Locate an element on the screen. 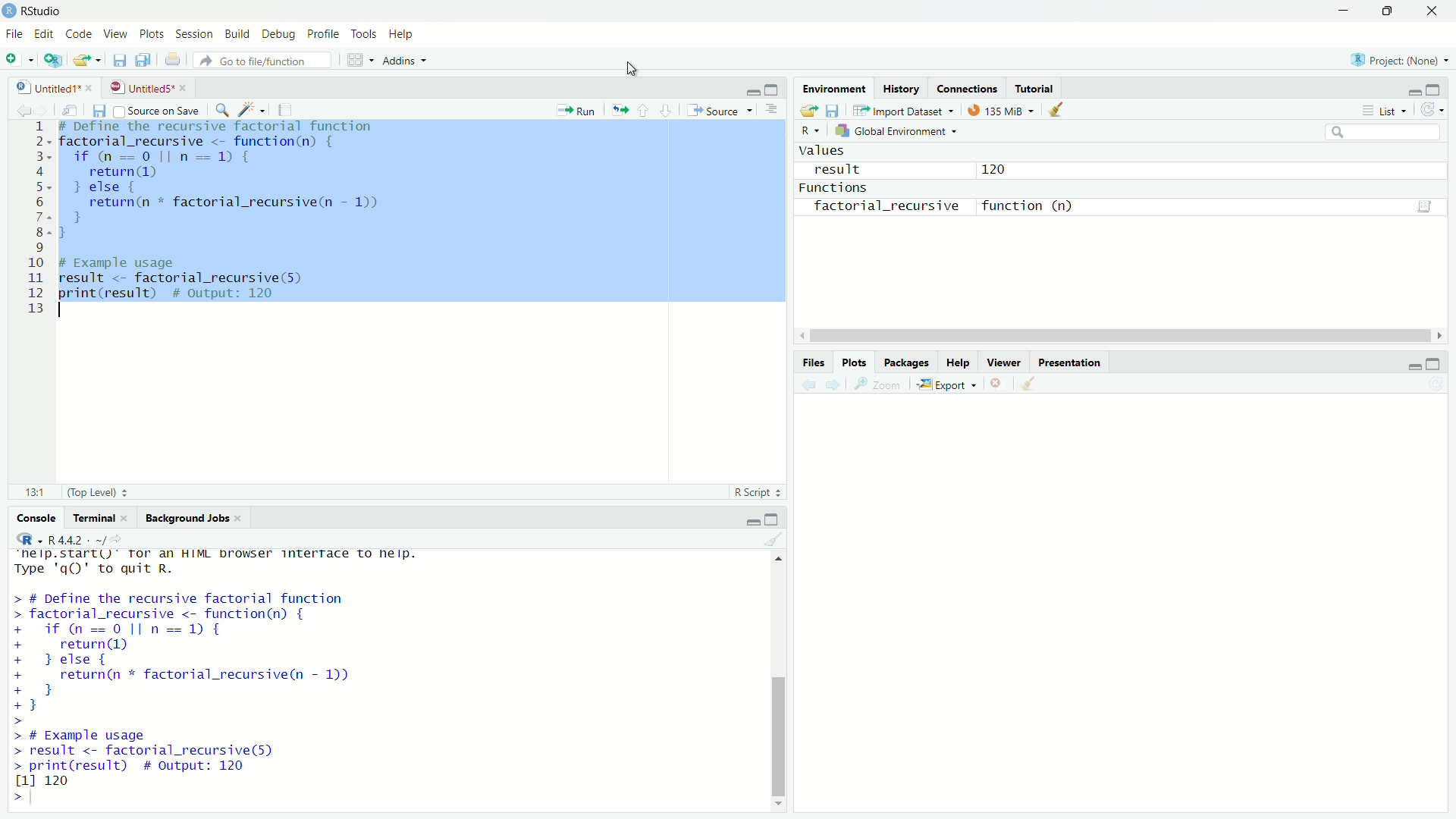 This screenshot has height=819, width=1456. R 4.2.2~/ is located at coordinates (74, 539).